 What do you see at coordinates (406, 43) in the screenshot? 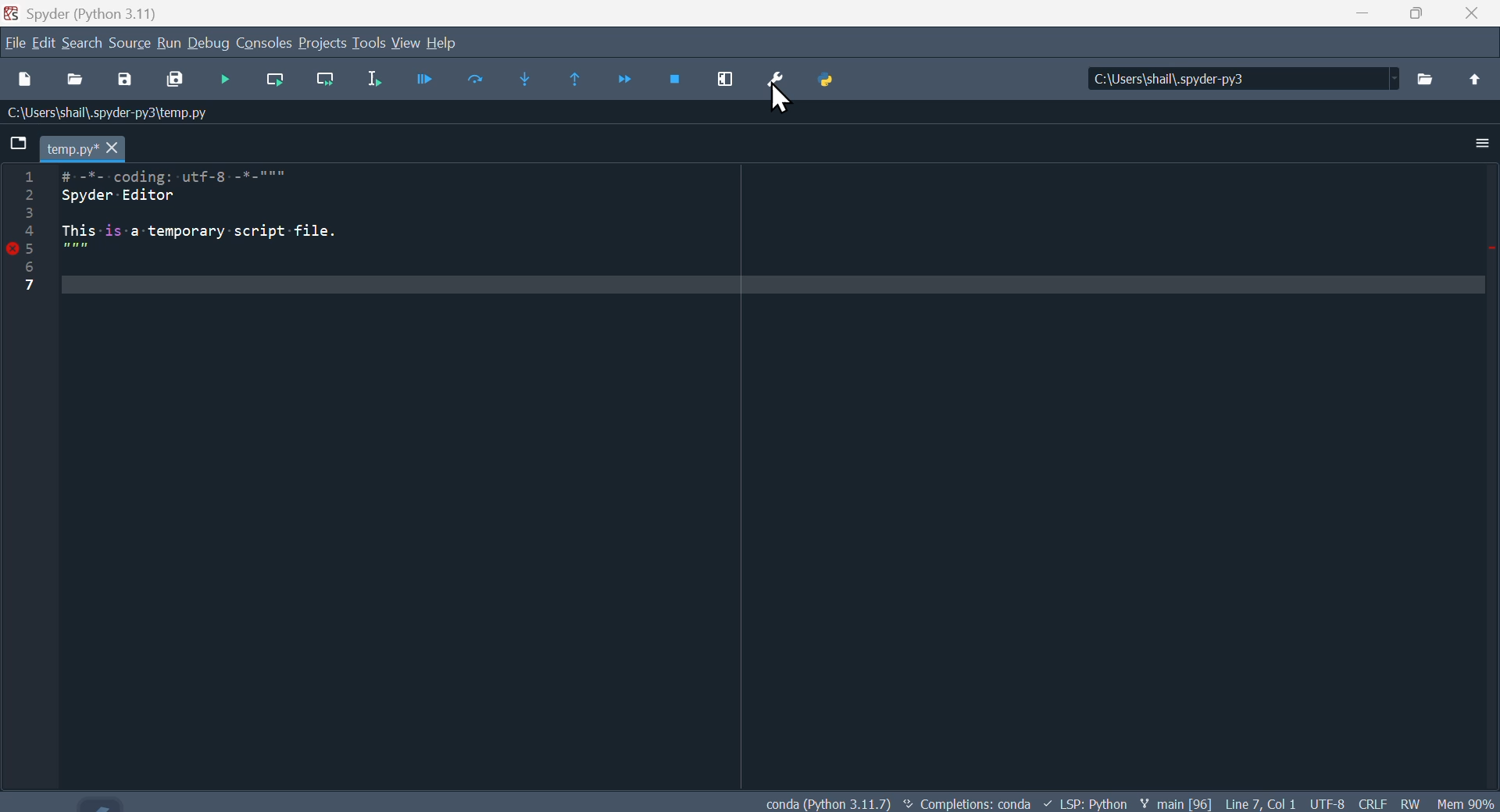
I see `View` at bounding box center [406, 43].